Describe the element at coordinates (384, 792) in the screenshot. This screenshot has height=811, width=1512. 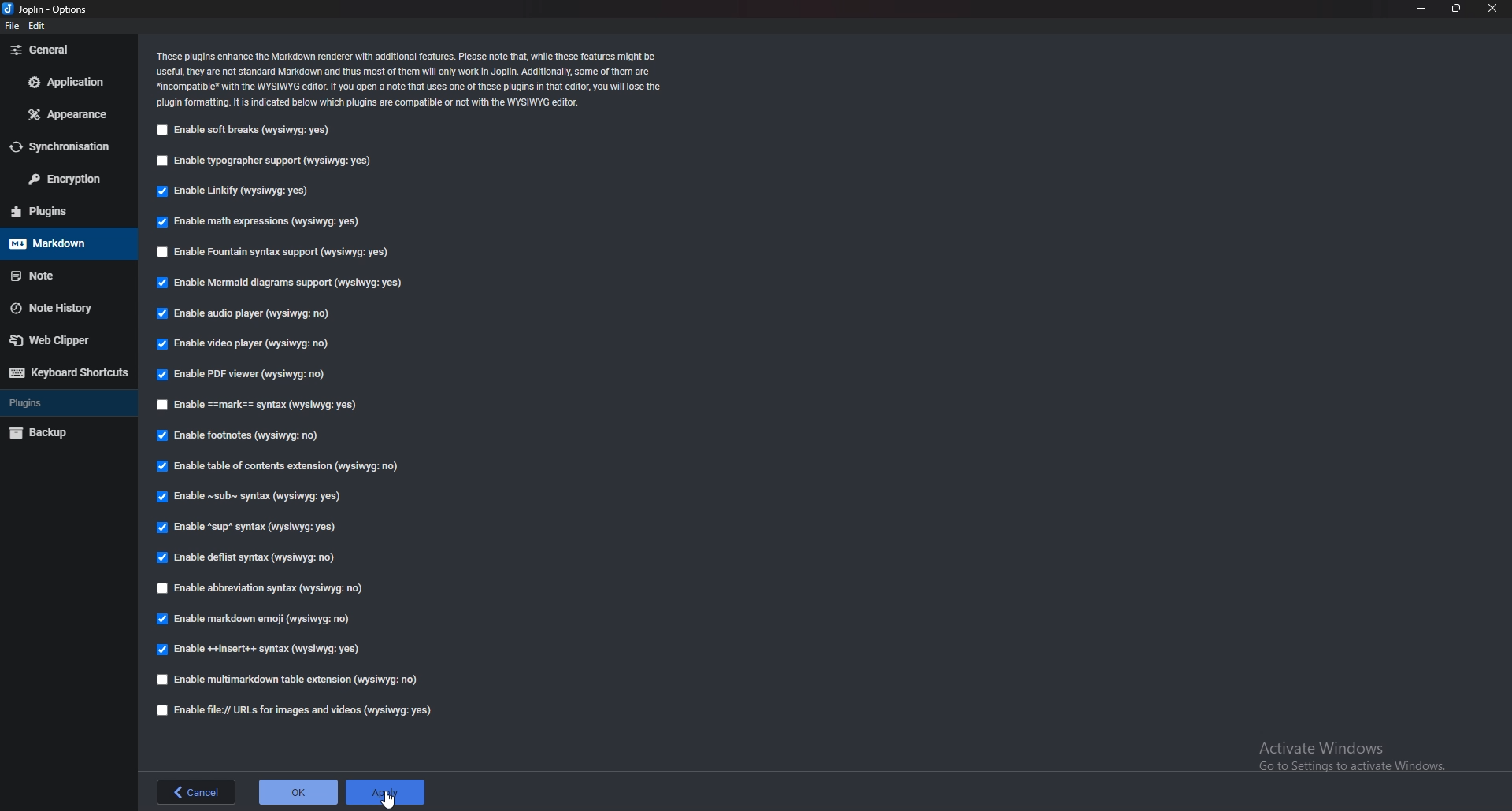
I see `apply` at that location.